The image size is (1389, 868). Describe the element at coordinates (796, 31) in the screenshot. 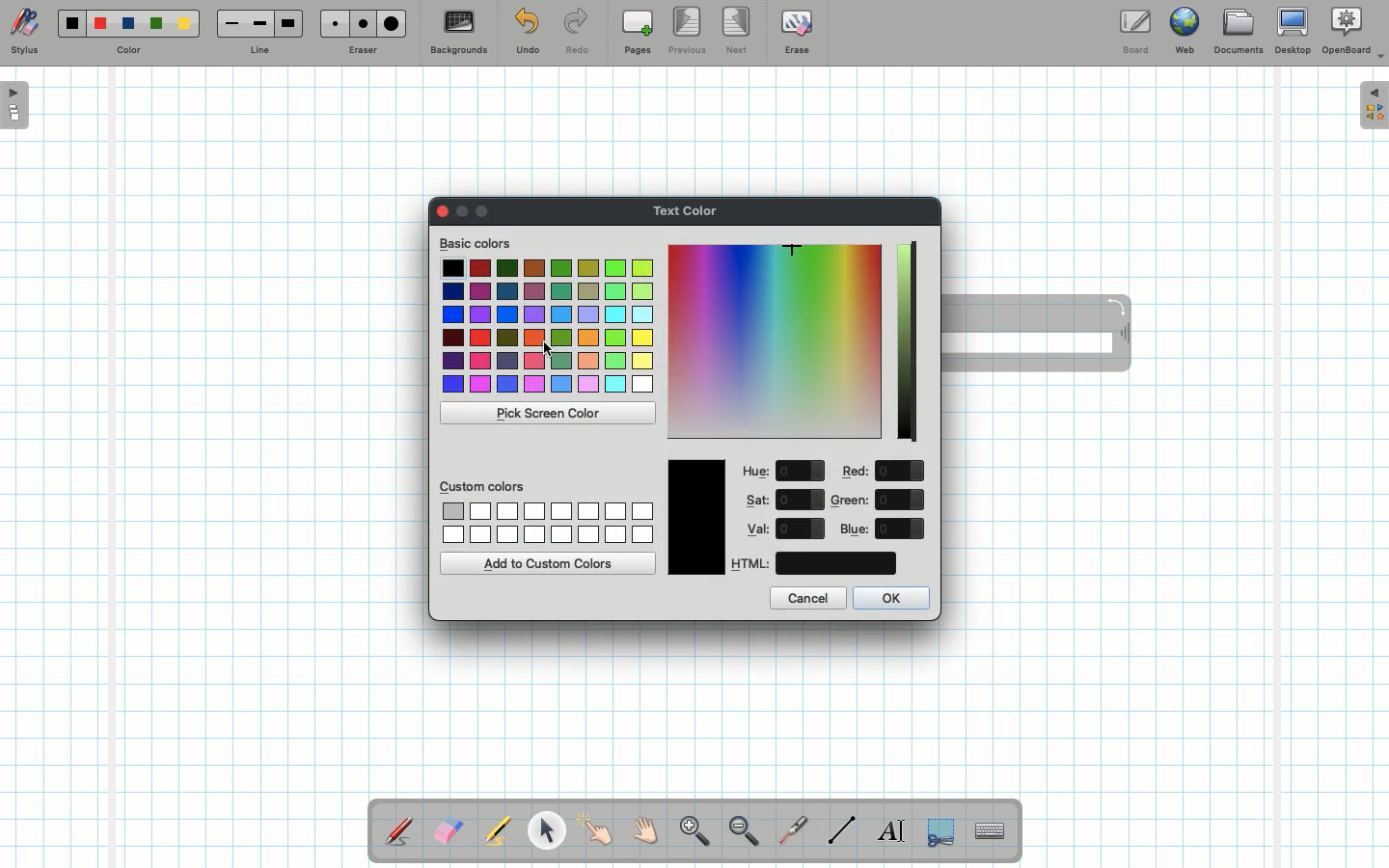

I see `Erase` at that location.